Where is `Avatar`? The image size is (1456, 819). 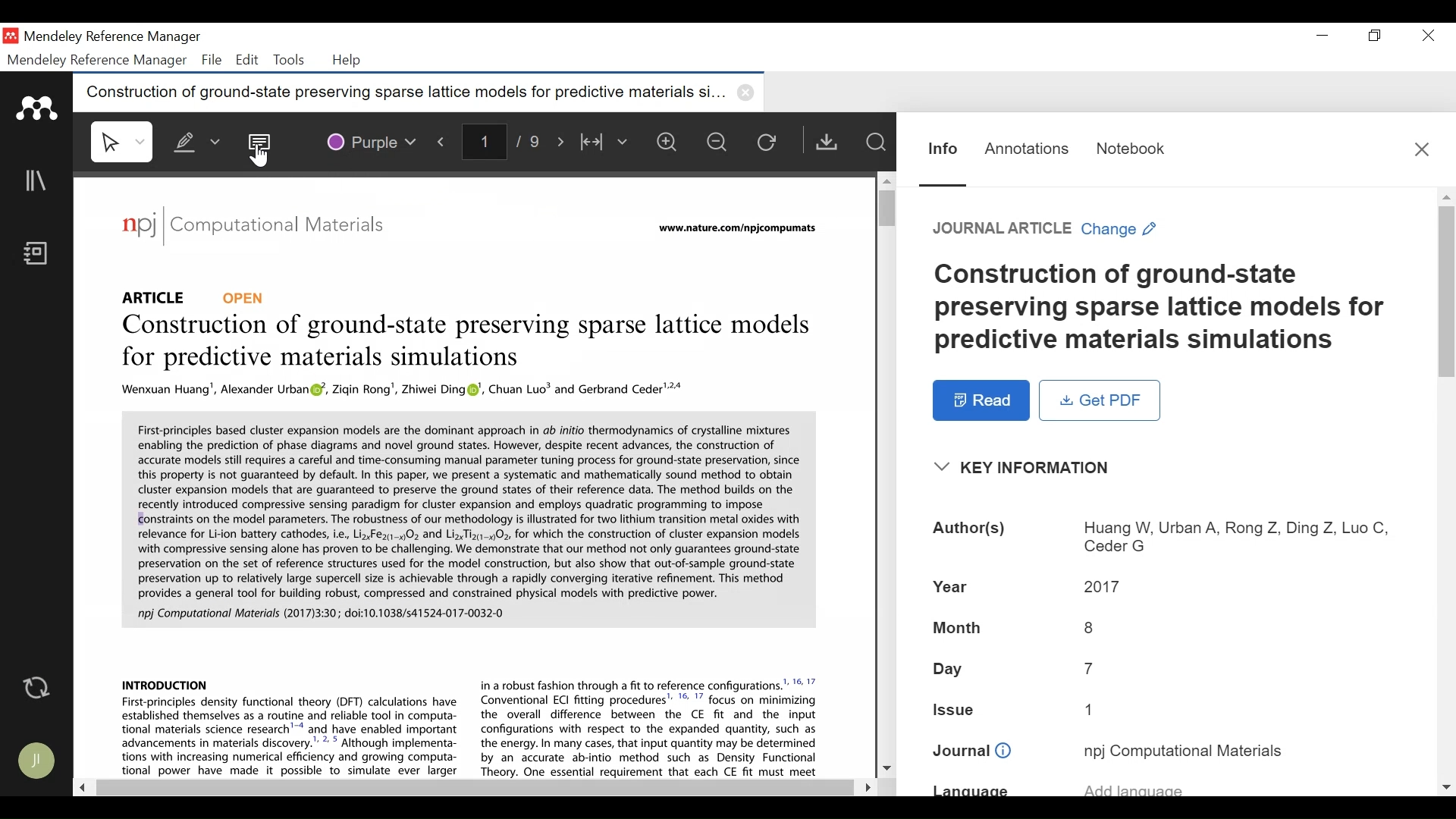 Avatar is located at coordinates (39, 762).